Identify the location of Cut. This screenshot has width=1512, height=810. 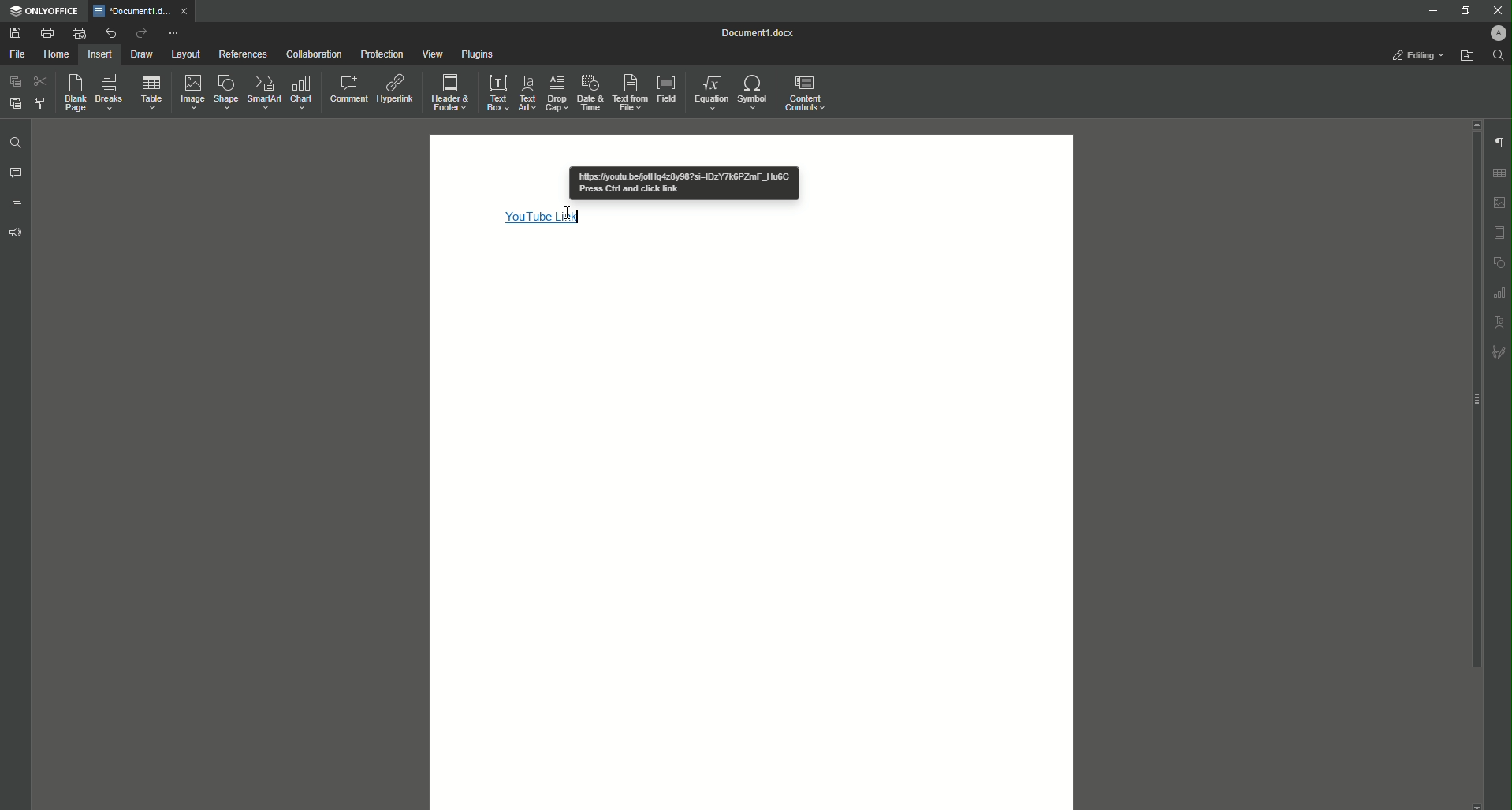
(39, 82).